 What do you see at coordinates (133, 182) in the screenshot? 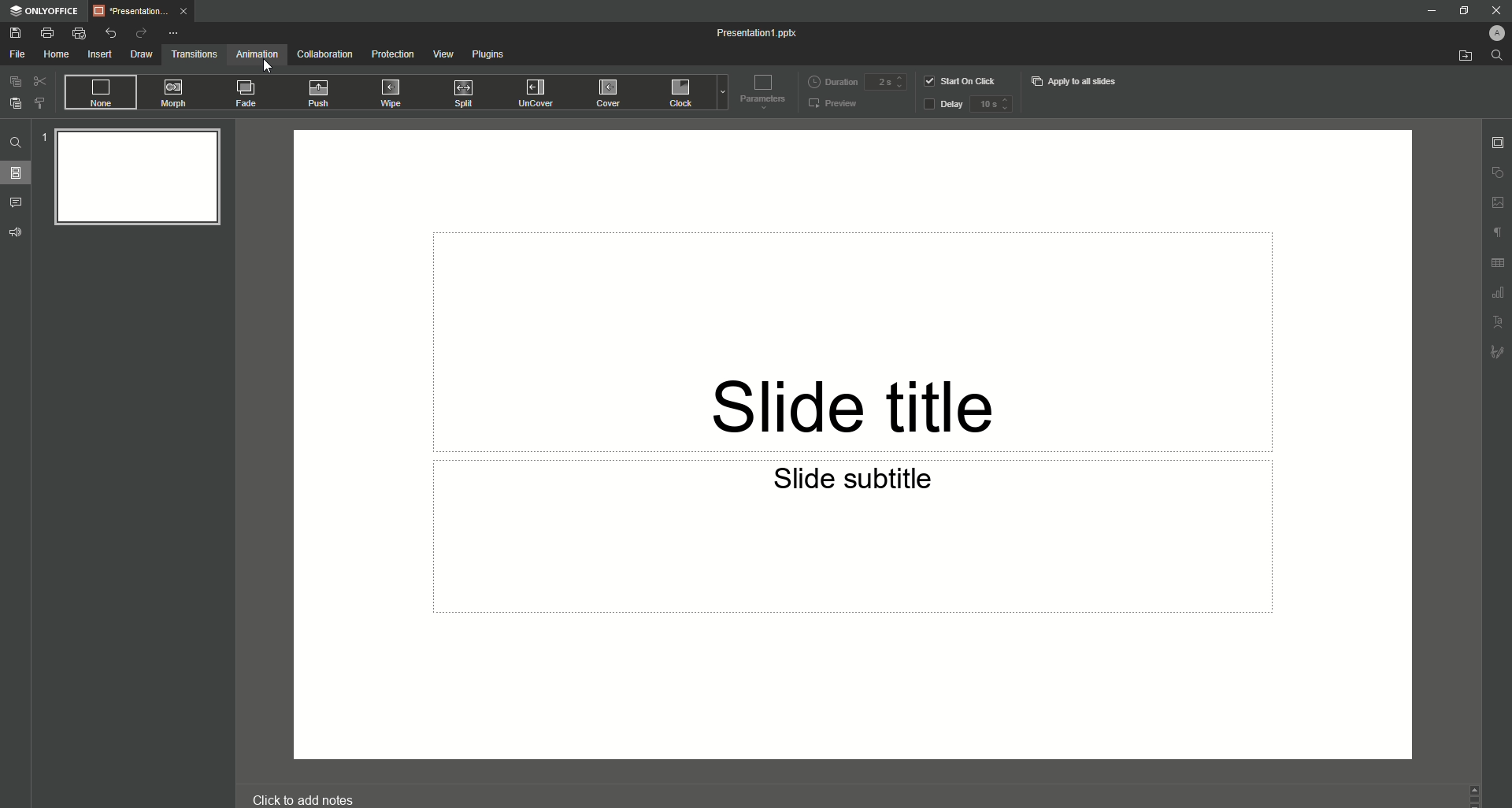
I see `Slide Preview` at bounding box center [133, 182].